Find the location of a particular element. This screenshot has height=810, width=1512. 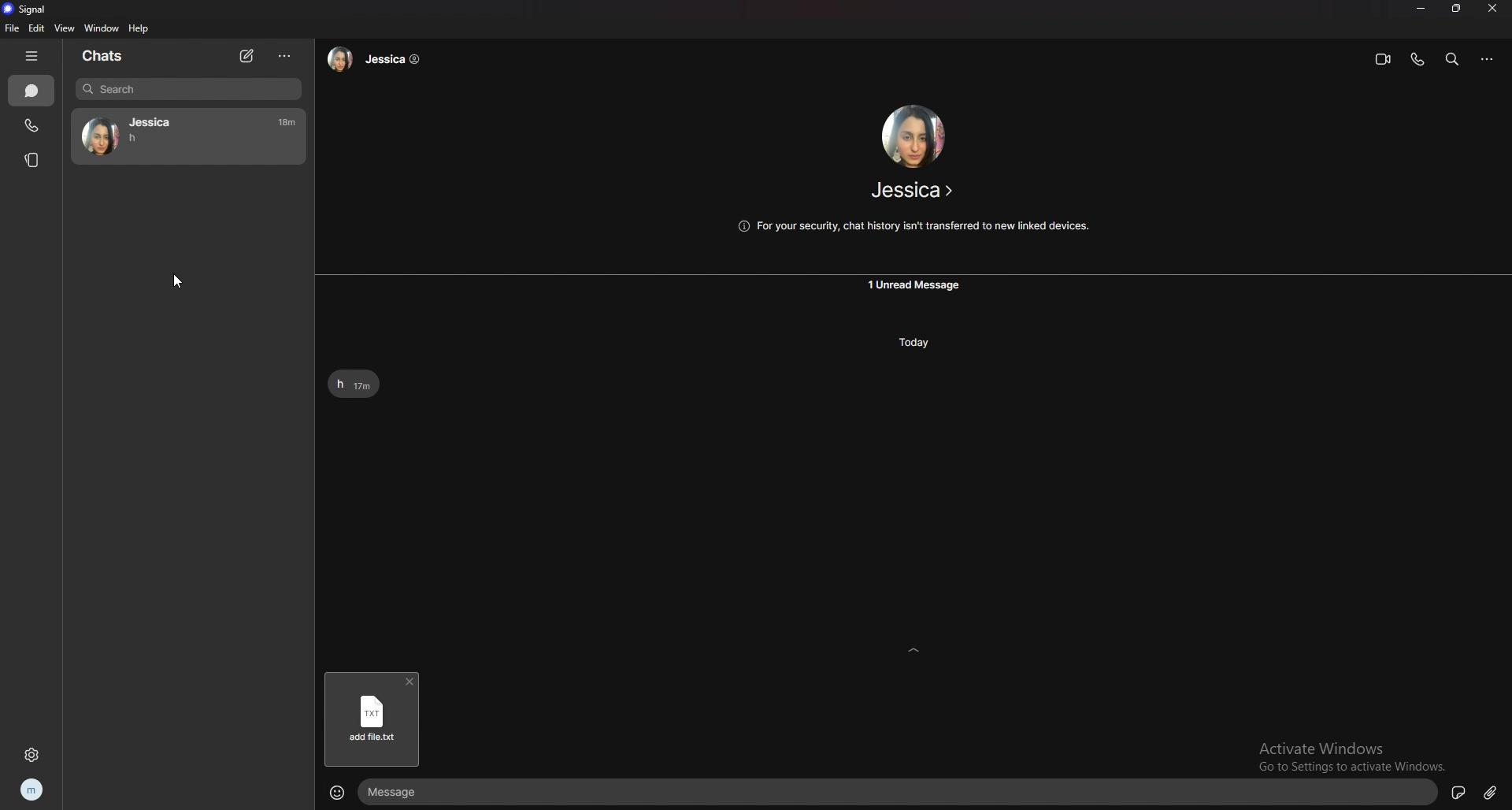

avatar is located at coordinates (101, 137).